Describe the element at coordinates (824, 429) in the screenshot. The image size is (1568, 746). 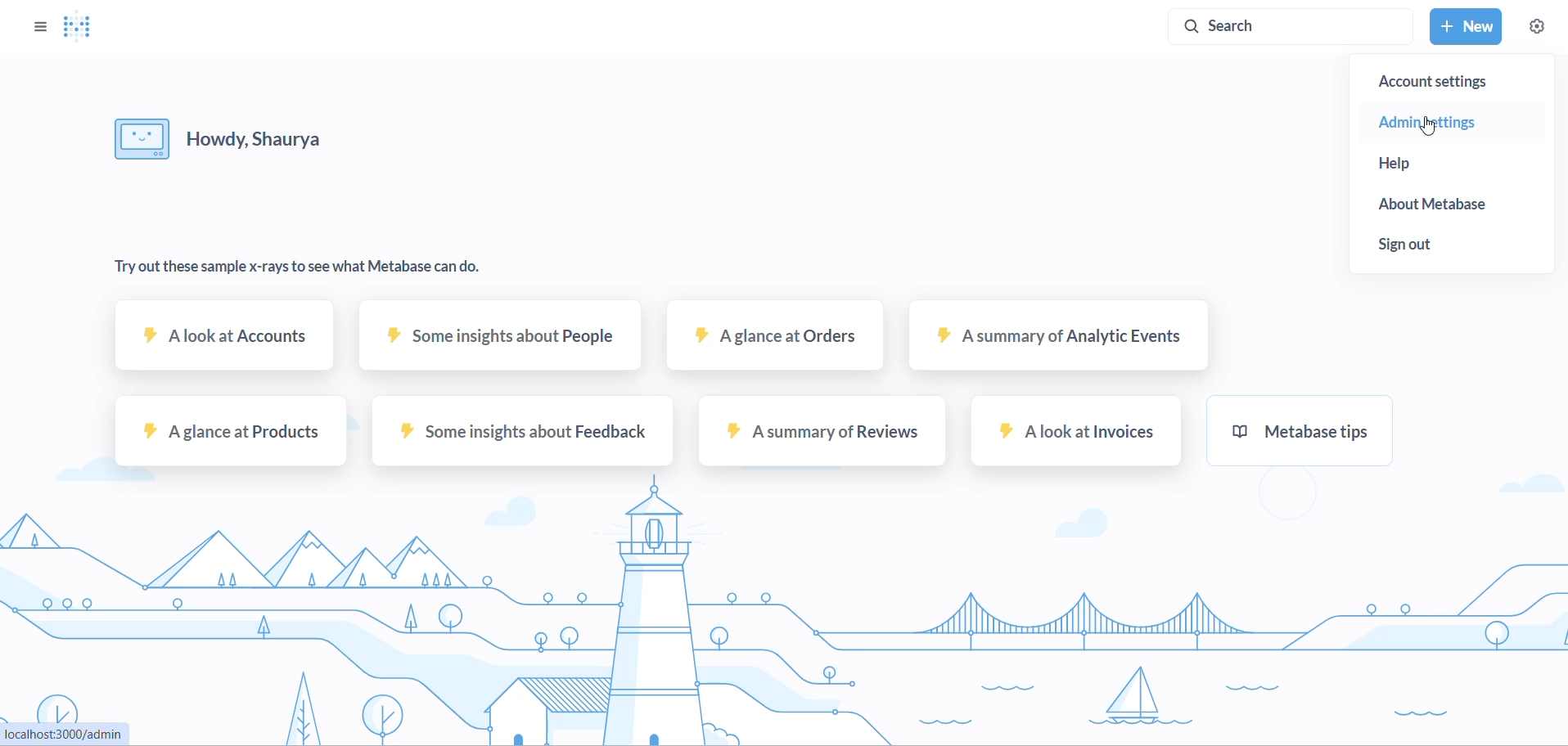
I see `A summary of reviews sample` at that location.